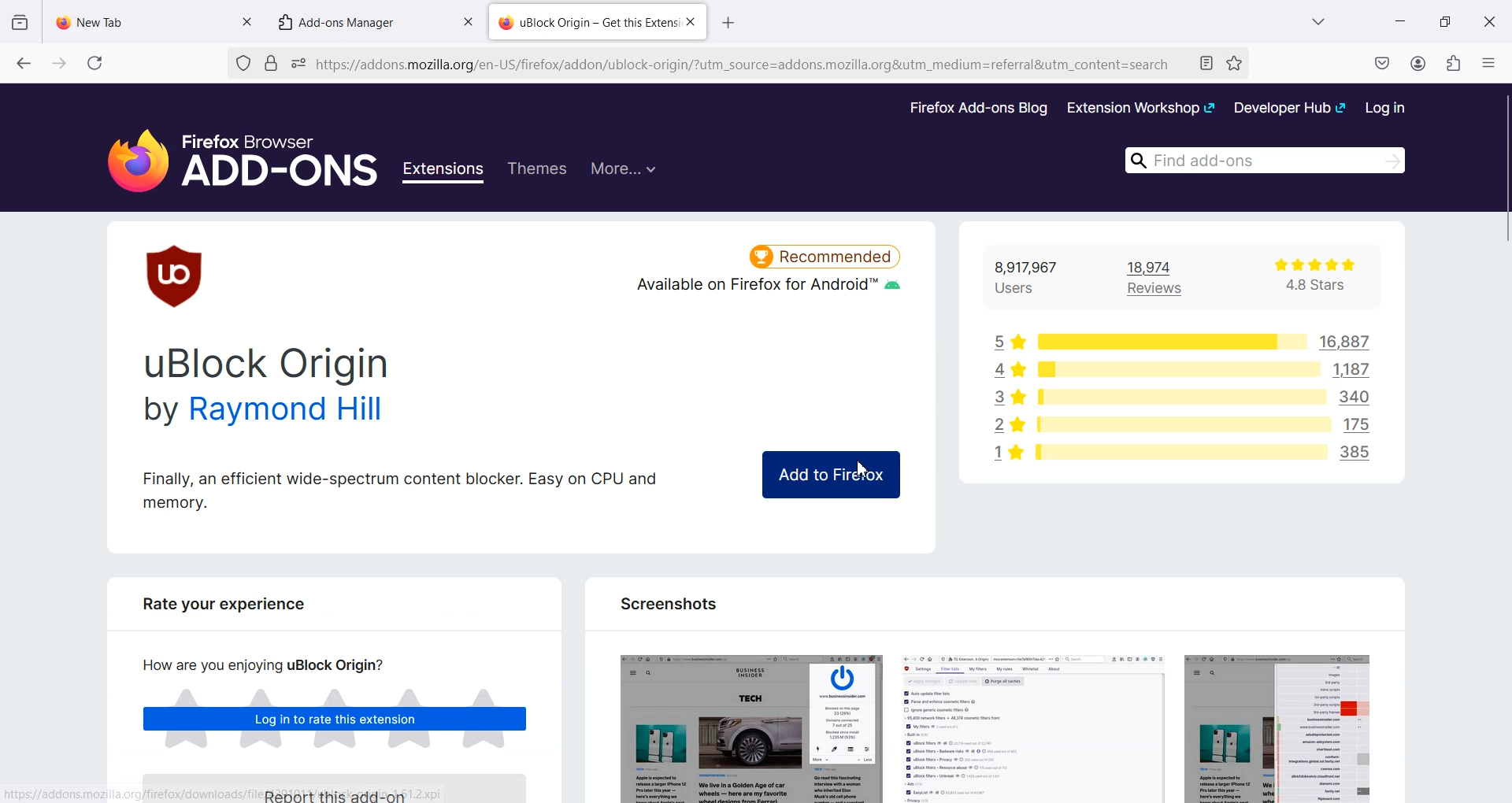 The height and width of the screenshot is (803, 1512). Describe the element at coordinates (691, 23) in the screenshot. I see `Close Tab` at that location.